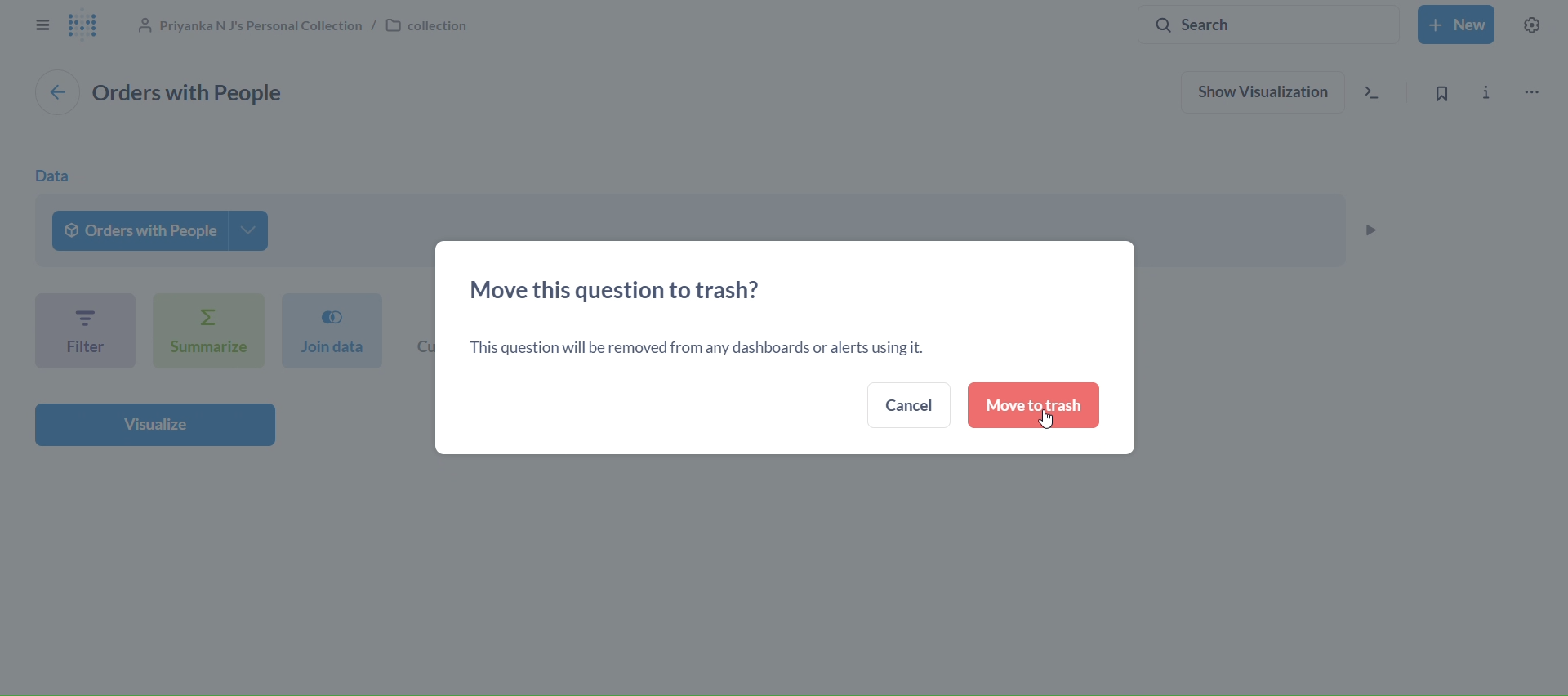 The image size is (1568, 696). I want to click on orders with people, so click(202, 92).